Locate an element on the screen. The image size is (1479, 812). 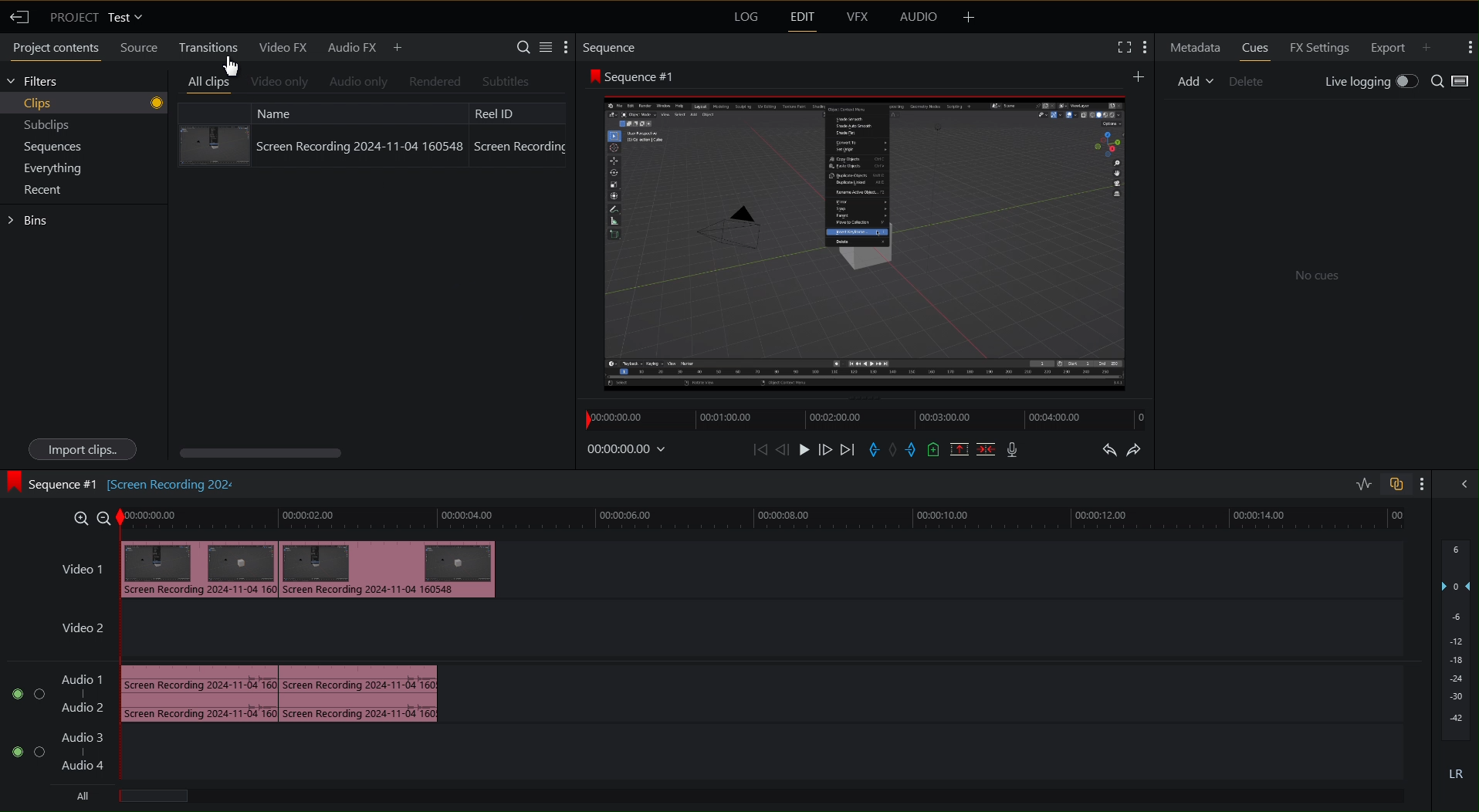
Log is located at coordinates (744, 18).